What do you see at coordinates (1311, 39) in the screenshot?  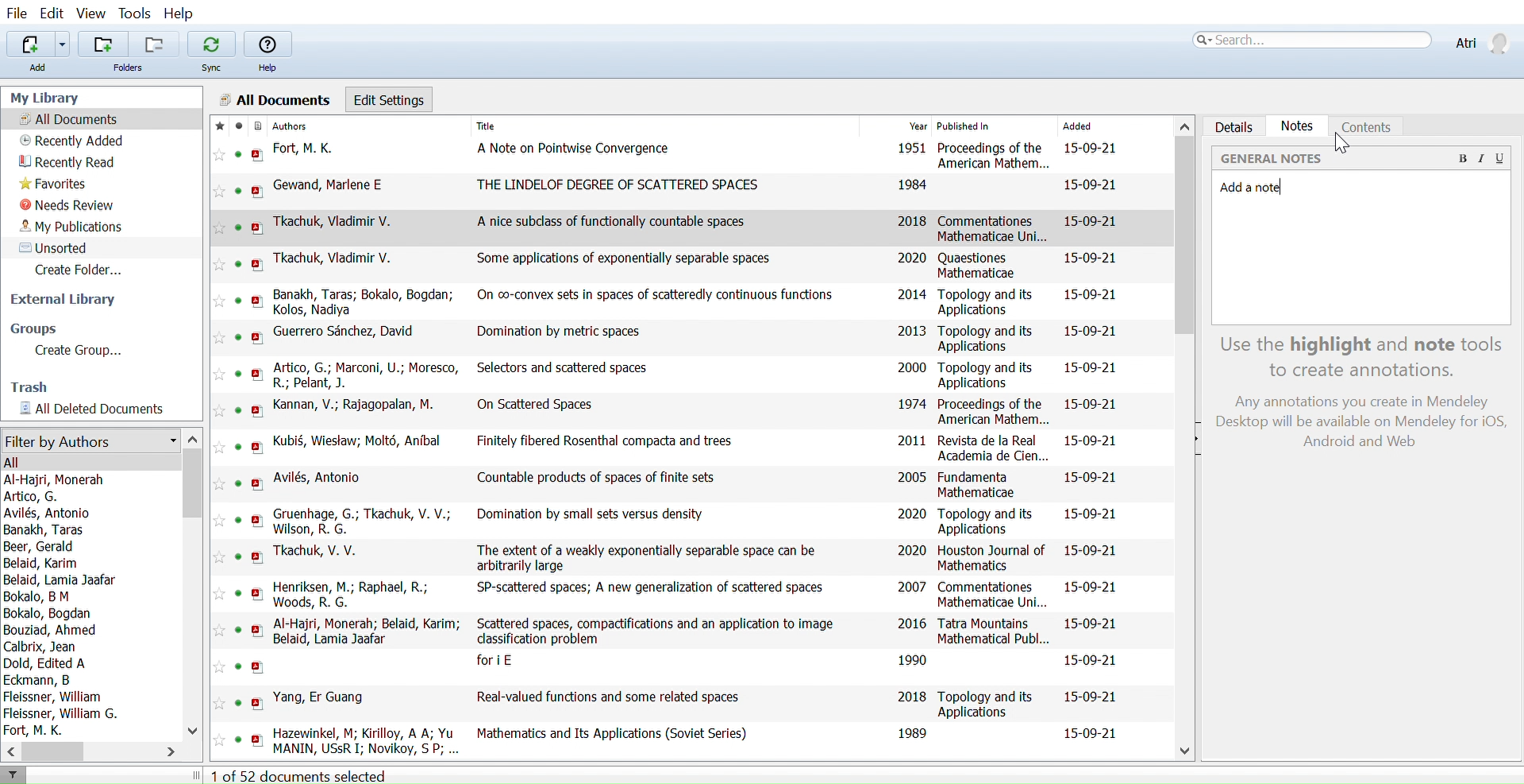 I see `Search` at bounding box center [1311, 39].